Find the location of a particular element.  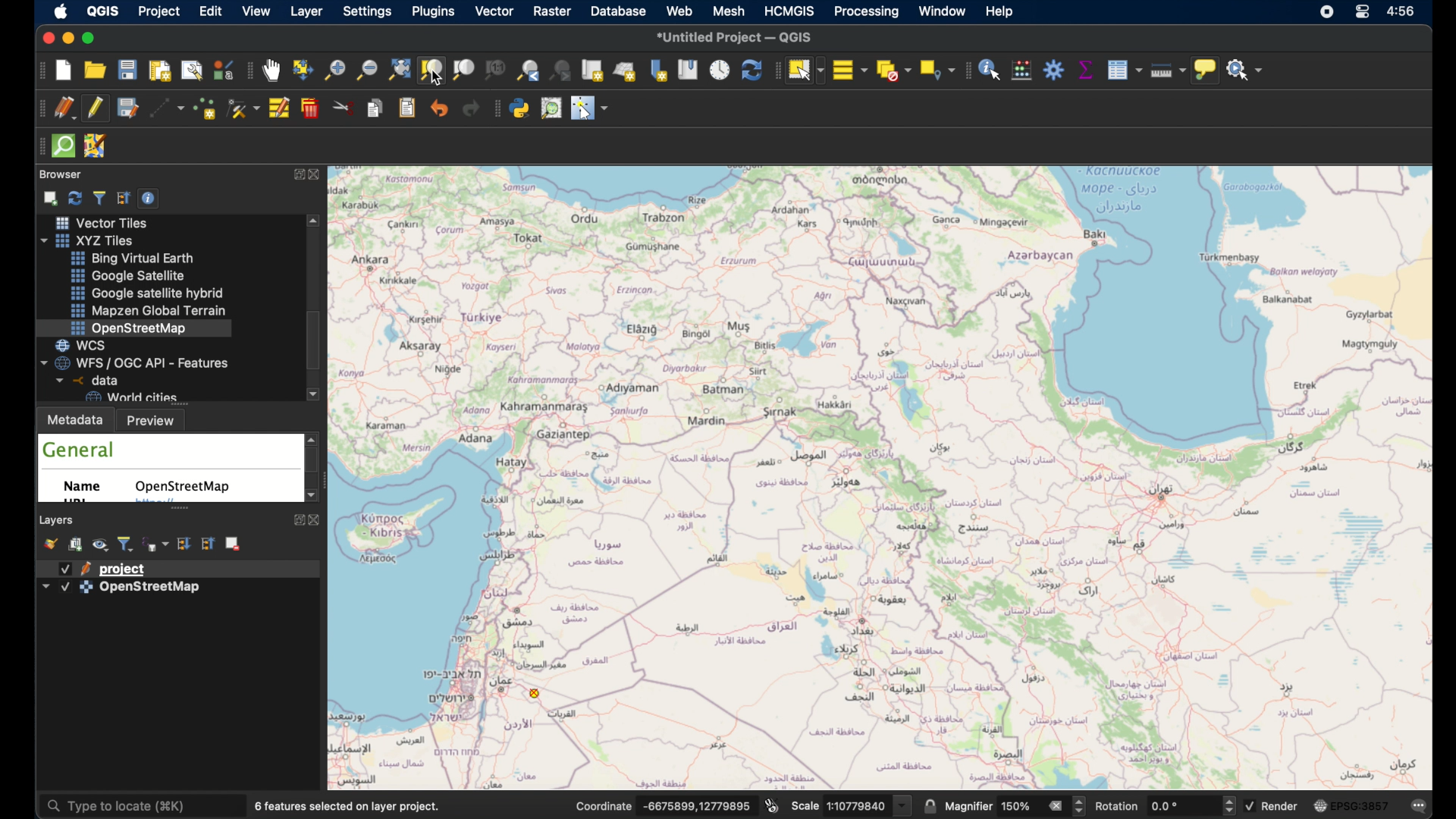

add point feature is located at coordinates (207, 108).